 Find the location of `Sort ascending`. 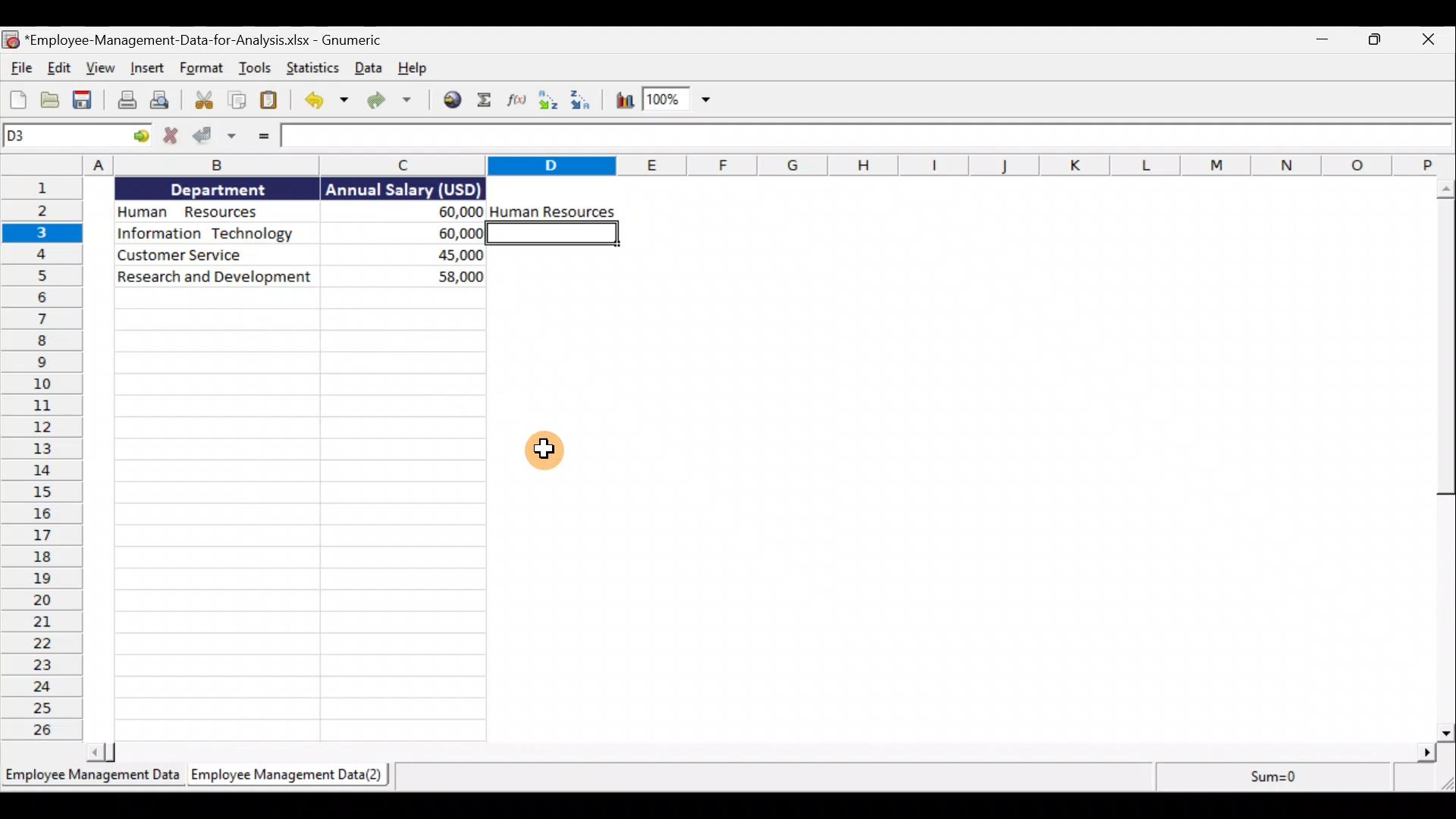

Sort ascending is located at coordinates (549, 103).